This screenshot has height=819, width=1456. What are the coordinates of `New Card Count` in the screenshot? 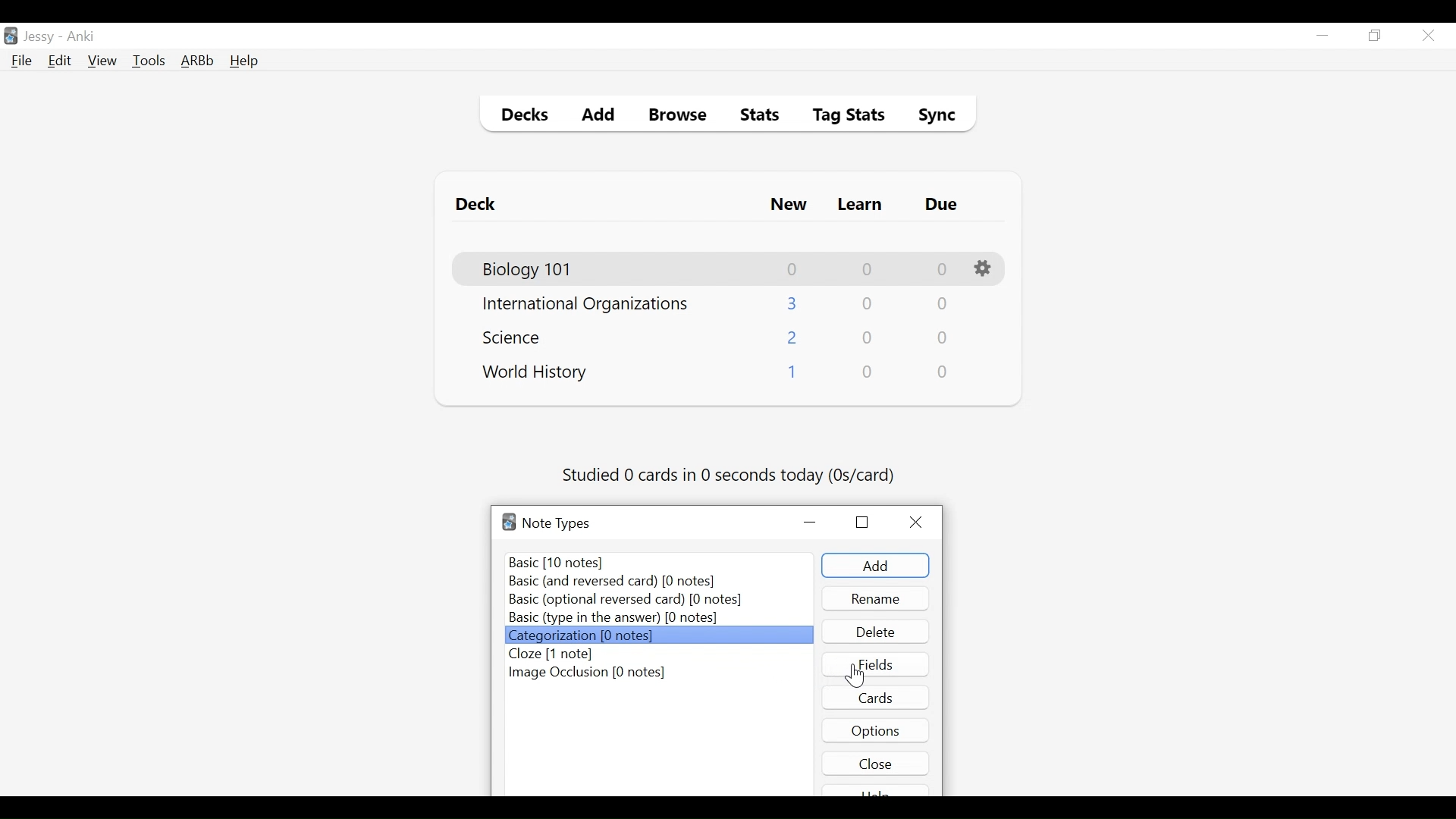 It's located at (793, 339).